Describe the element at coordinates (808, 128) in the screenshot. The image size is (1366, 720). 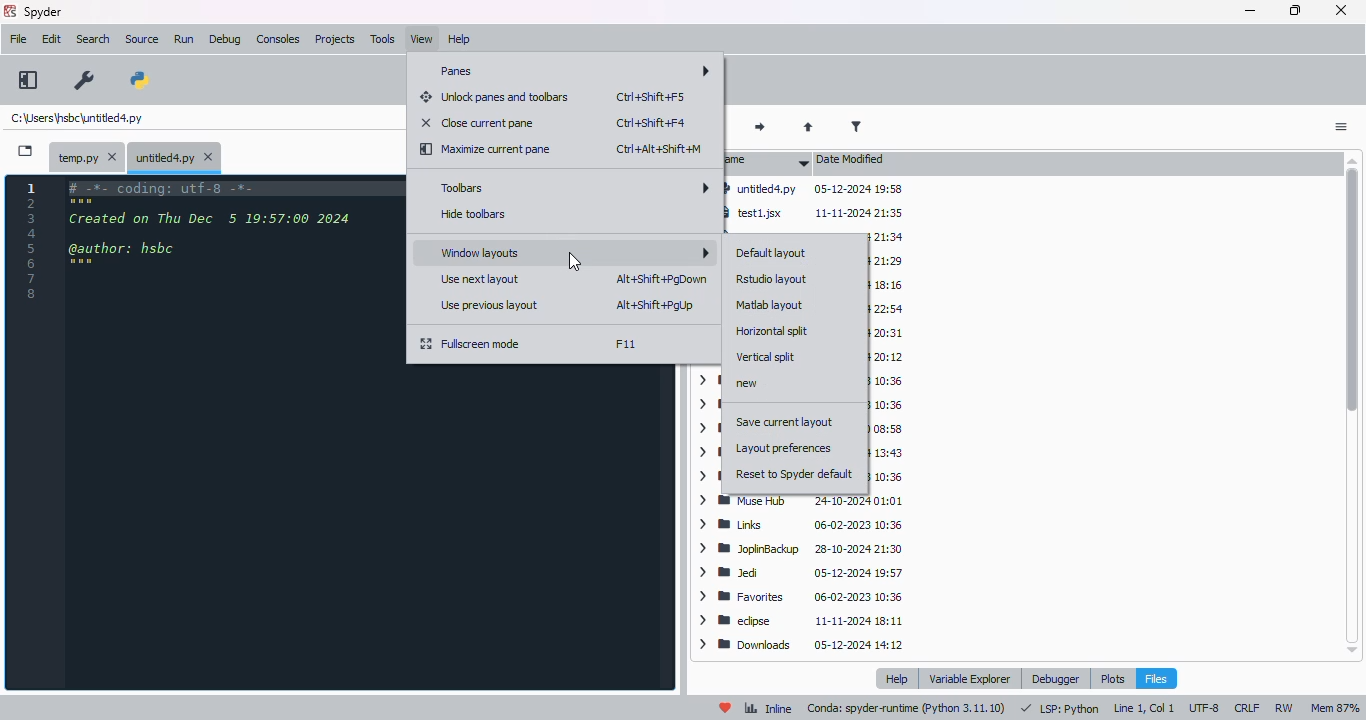
I see `parent` at that location.